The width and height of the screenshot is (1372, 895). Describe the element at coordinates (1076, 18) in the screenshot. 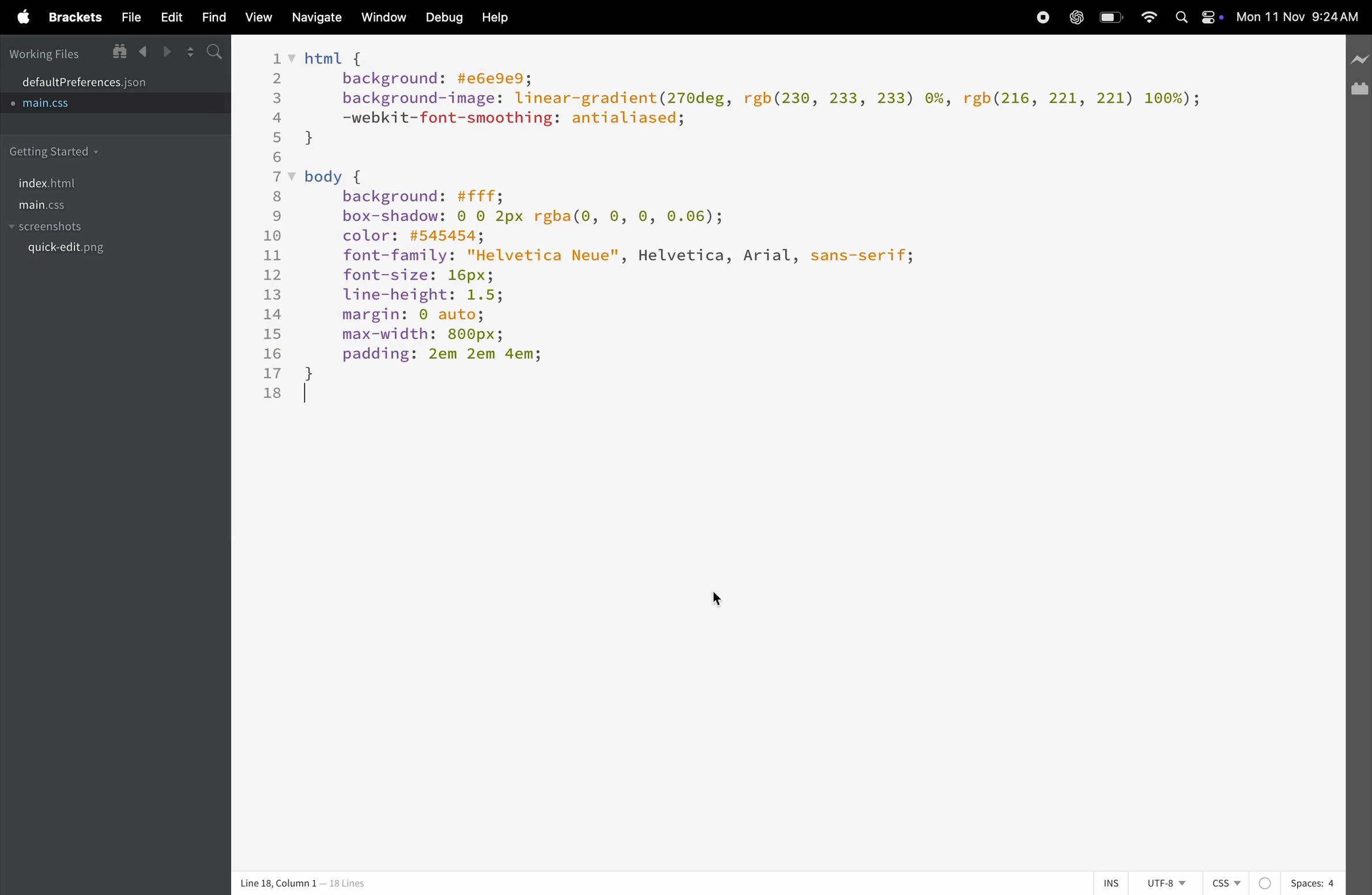

I see `record` at that location.